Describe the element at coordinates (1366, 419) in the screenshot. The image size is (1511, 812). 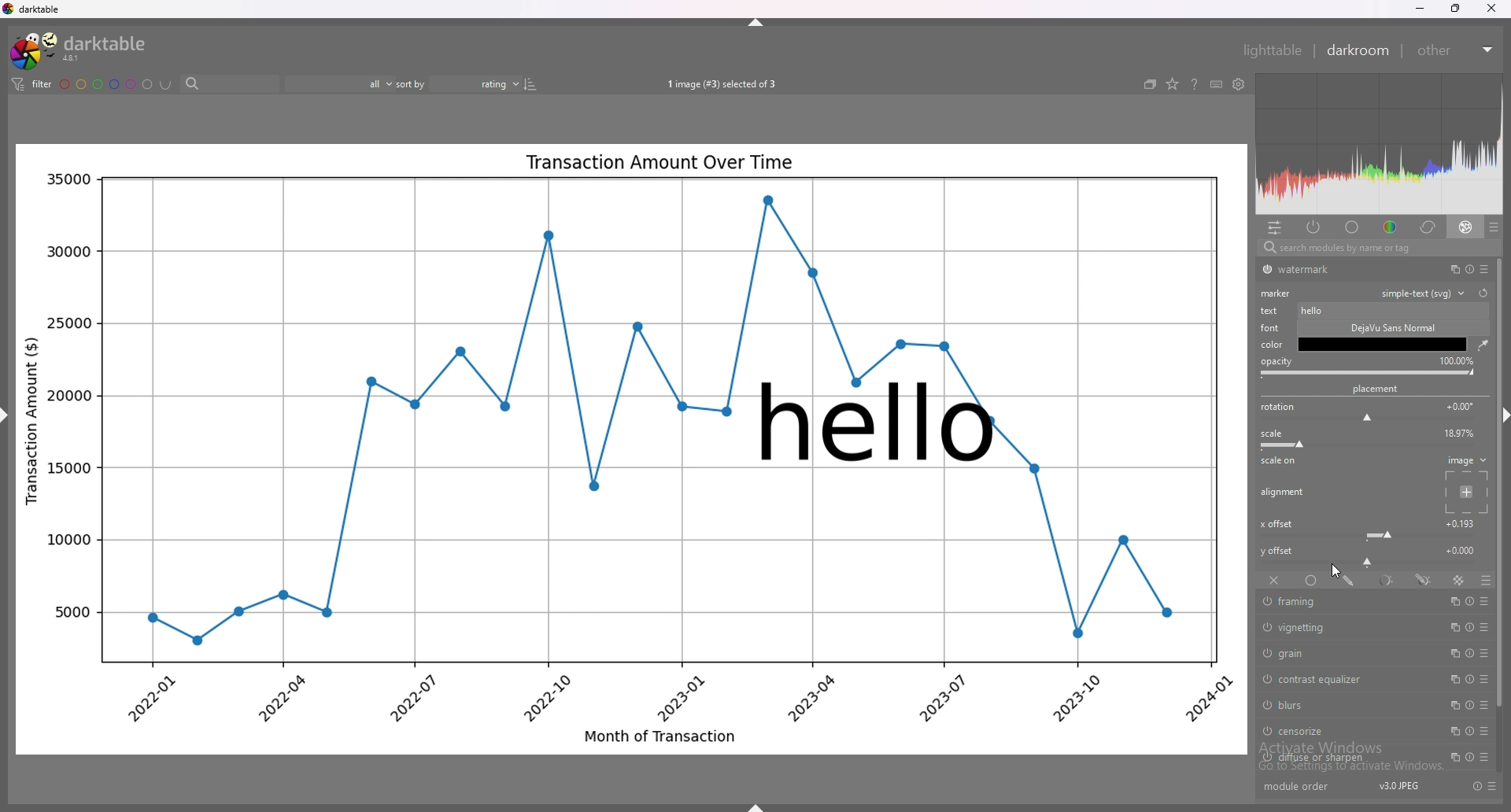
I see `rotation bar` at that location.